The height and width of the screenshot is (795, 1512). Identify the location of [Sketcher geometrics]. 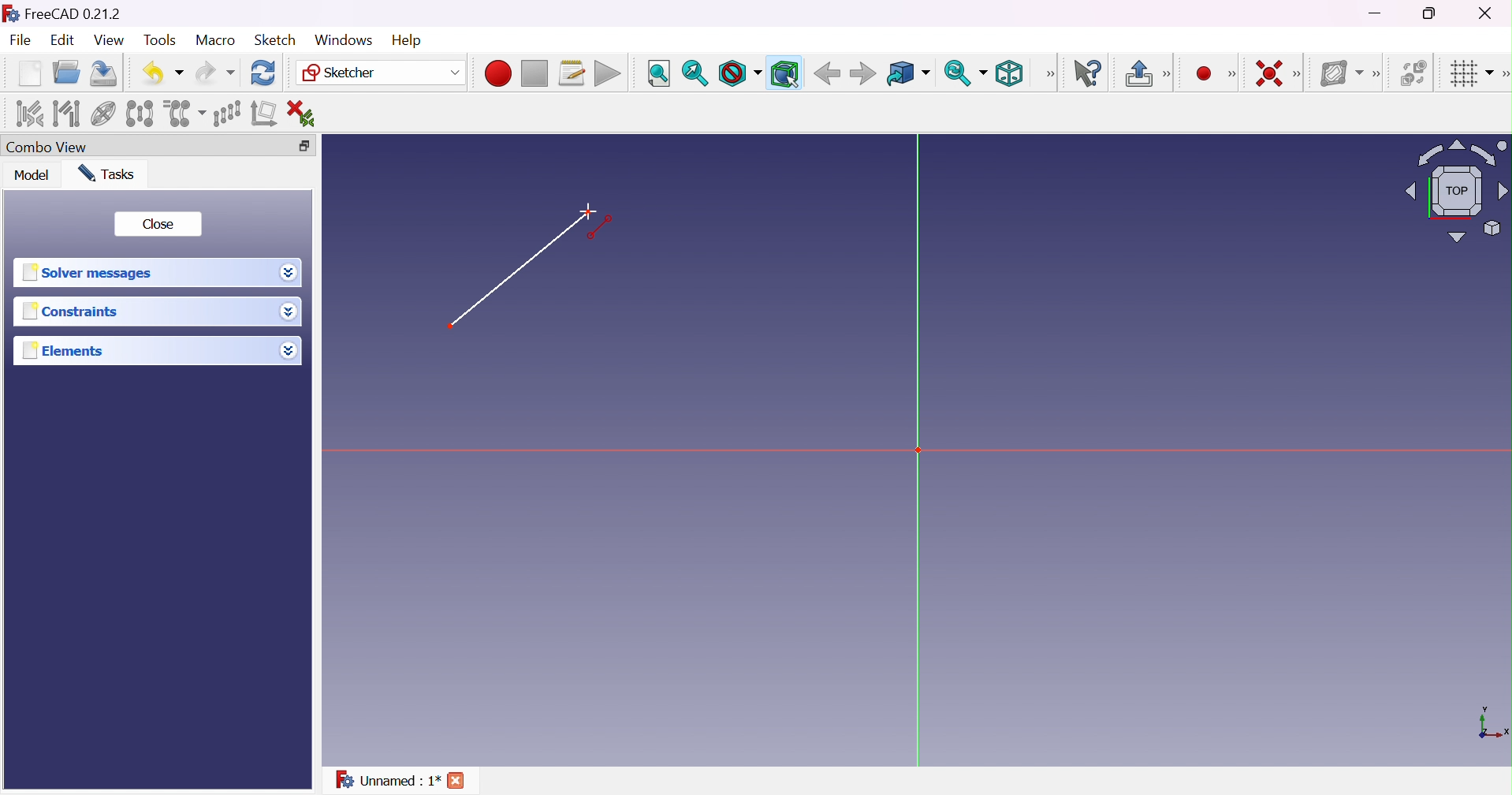
(1232, 74).